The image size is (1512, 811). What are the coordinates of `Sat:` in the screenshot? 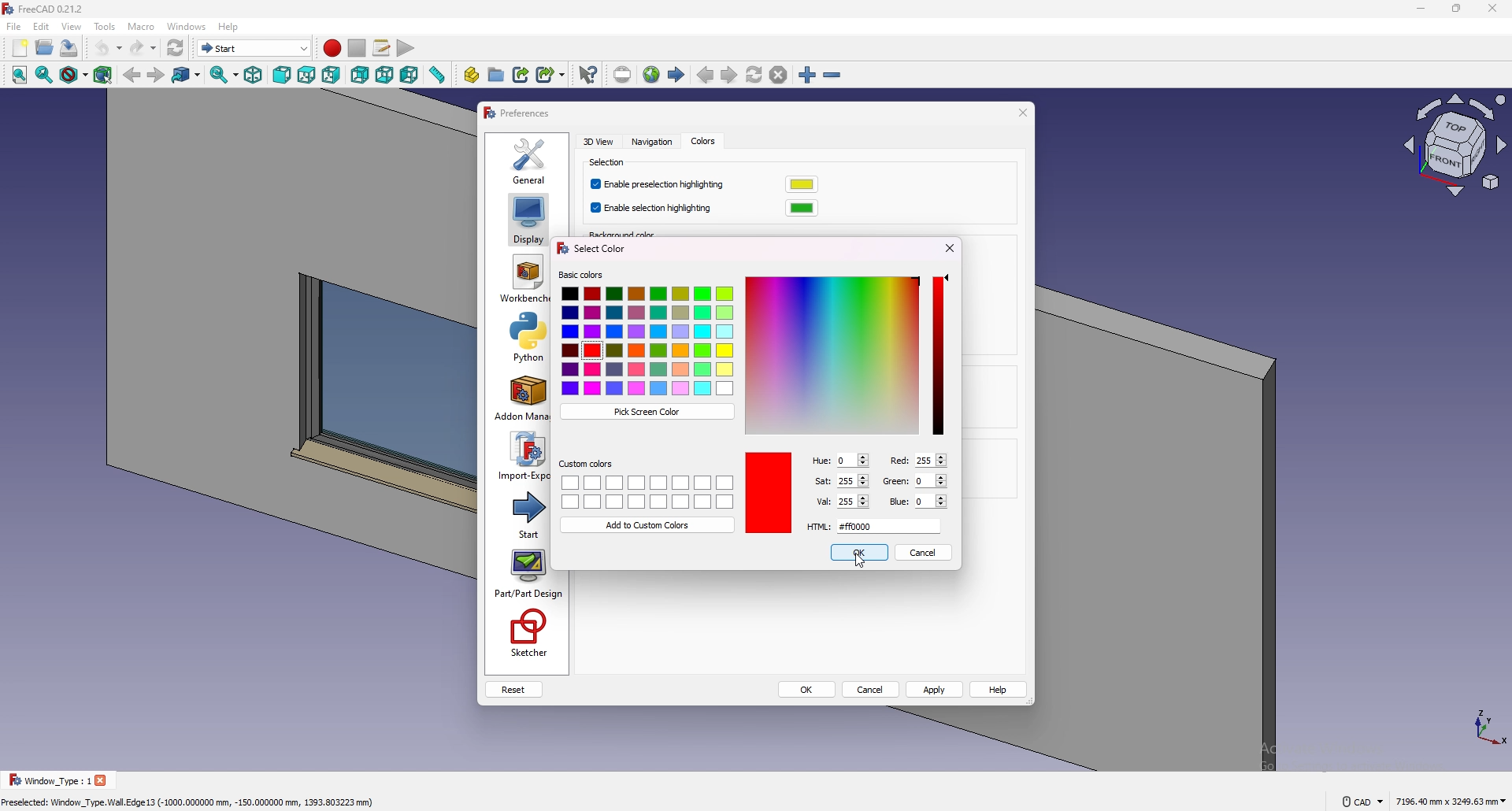 It's located at (821, 480).